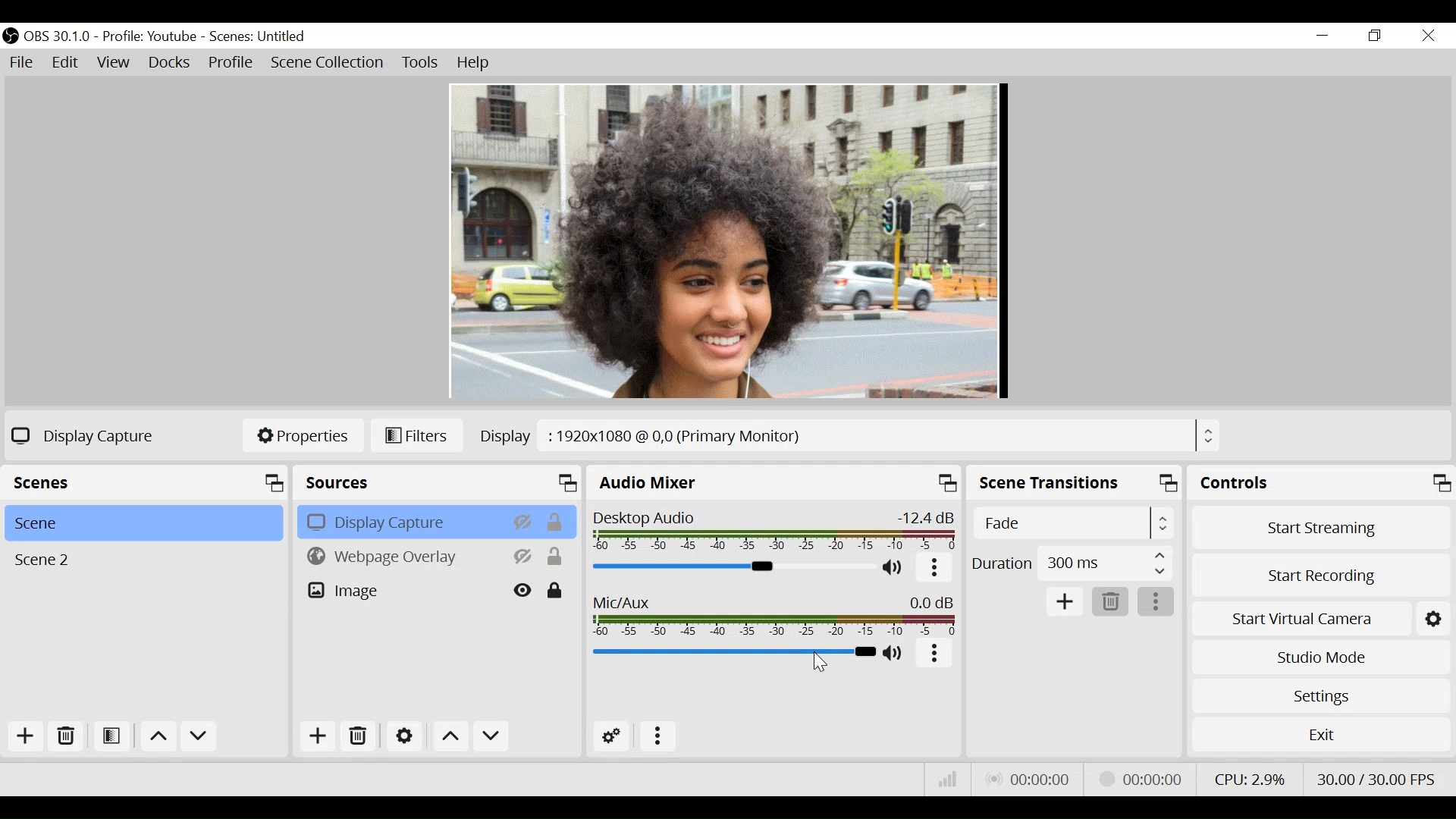 This screenshot has width=1456, height=819. What do you see at coordinates (524, 591) in the screenshot?
I see `hide/display` at bounding box center [524, 591].